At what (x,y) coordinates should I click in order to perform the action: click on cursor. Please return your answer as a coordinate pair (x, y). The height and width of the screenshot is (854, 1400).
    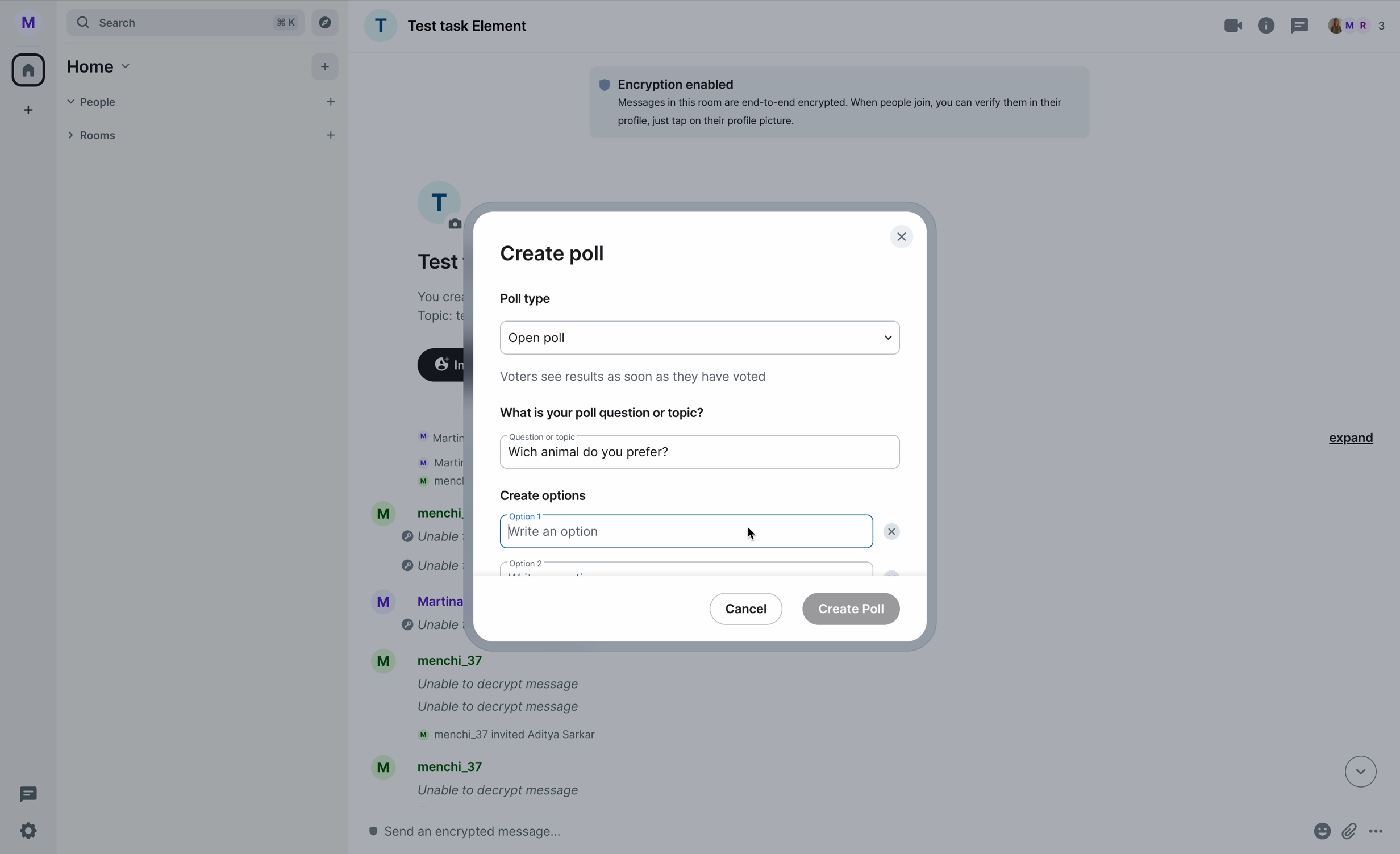
    Looking at the image, I should click on (752, 531).